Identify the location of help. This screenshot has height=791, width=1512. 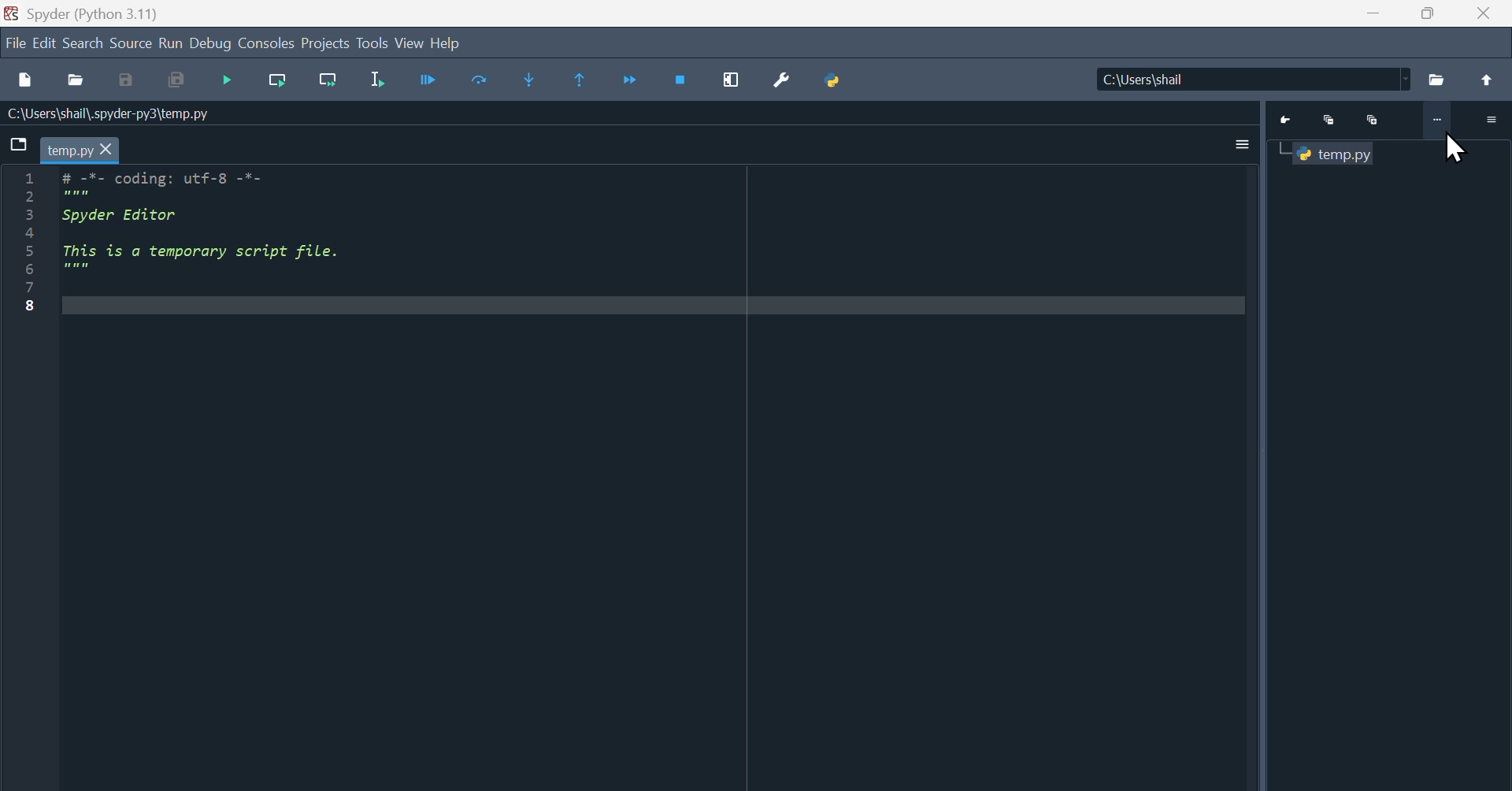
(445, 43).